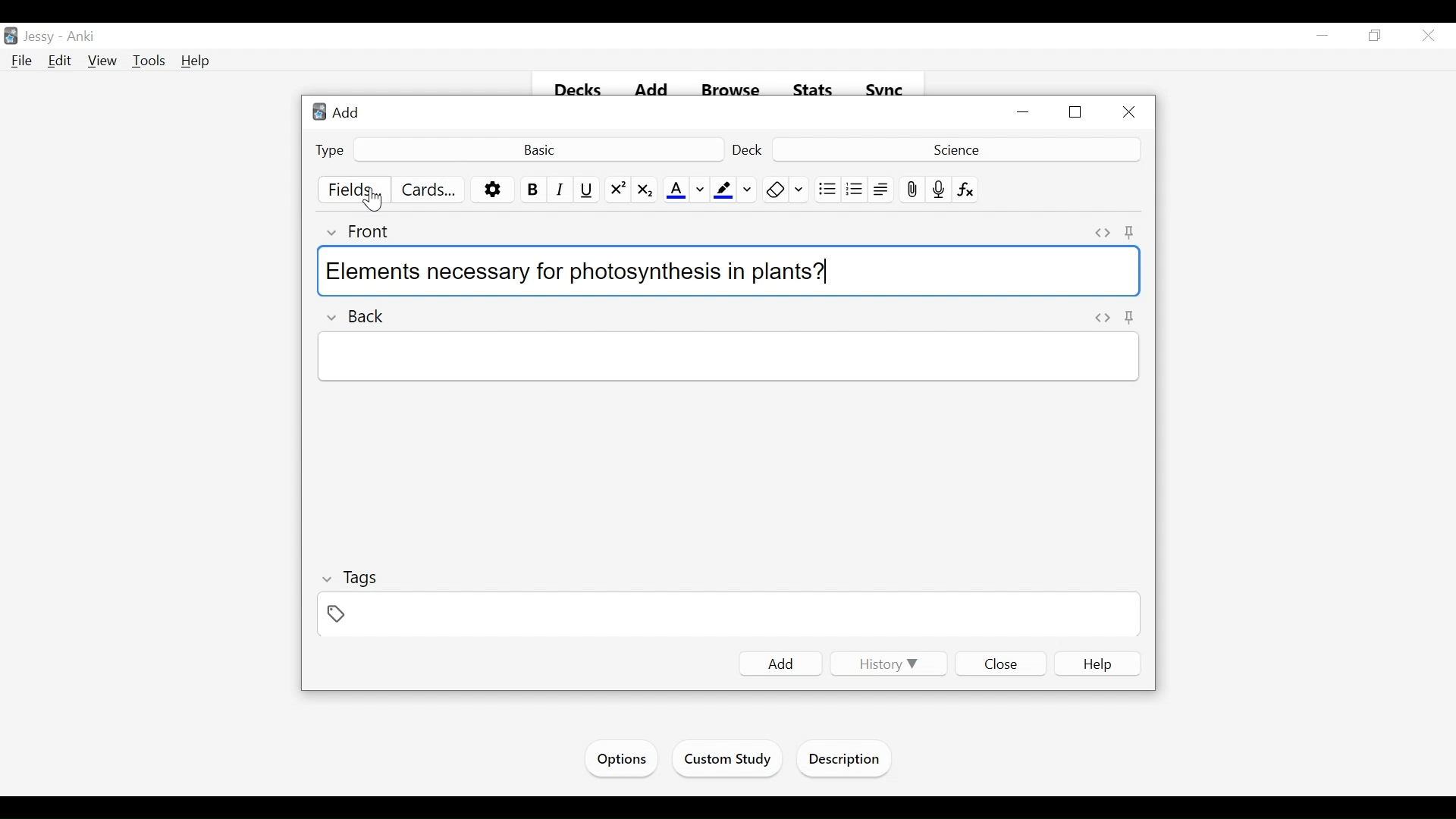 The height and width of the screenshot is (819, 1456). What do you see at coordinates (1103, 318) in the screenshot?
I see `Toggle HTML Editor` at bounding box center [1103, 318].